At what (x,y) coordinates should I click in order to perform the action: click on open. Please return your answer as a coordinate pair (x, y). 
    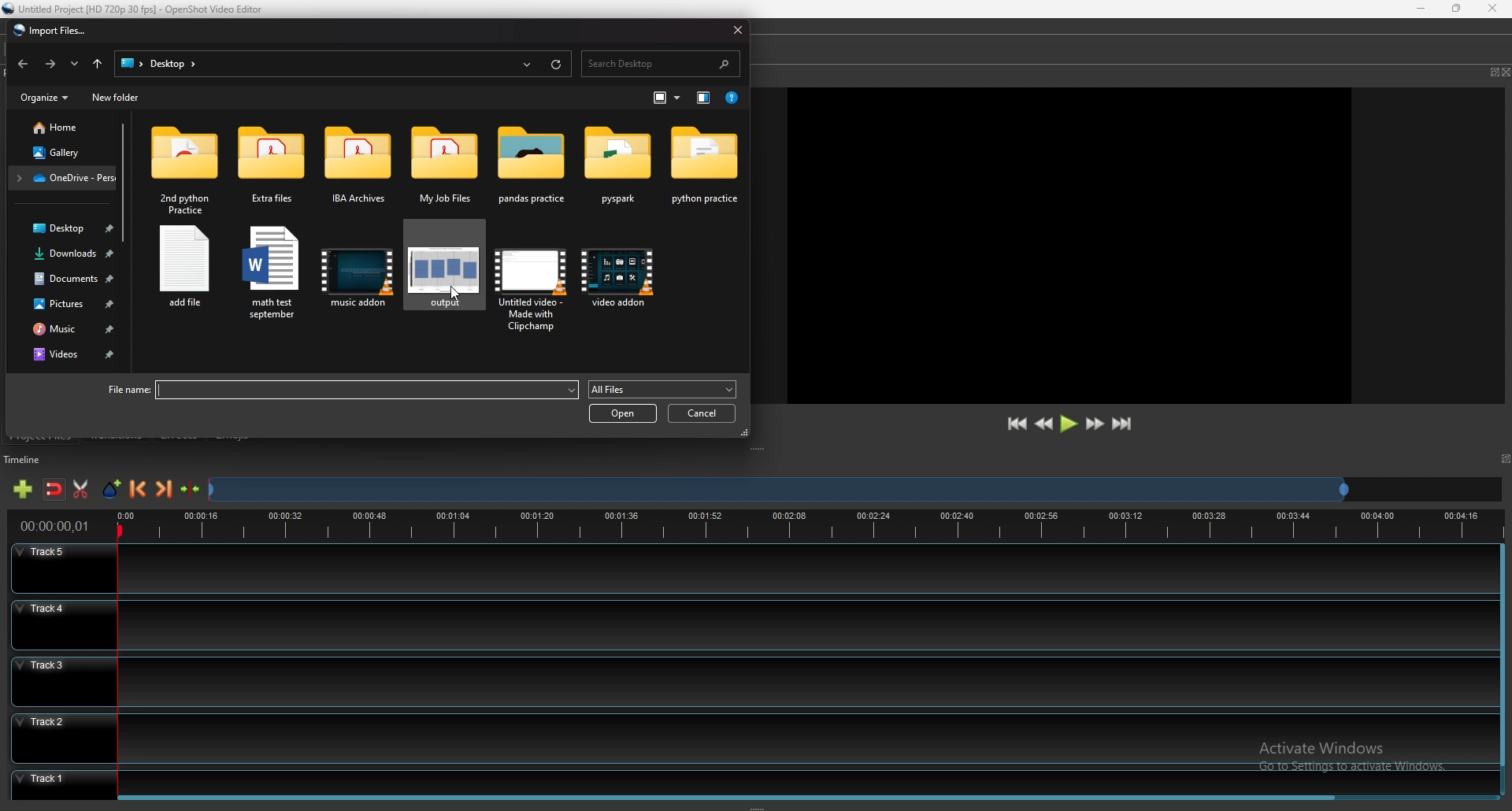
    Looking at the image, I should click on (622, 413).